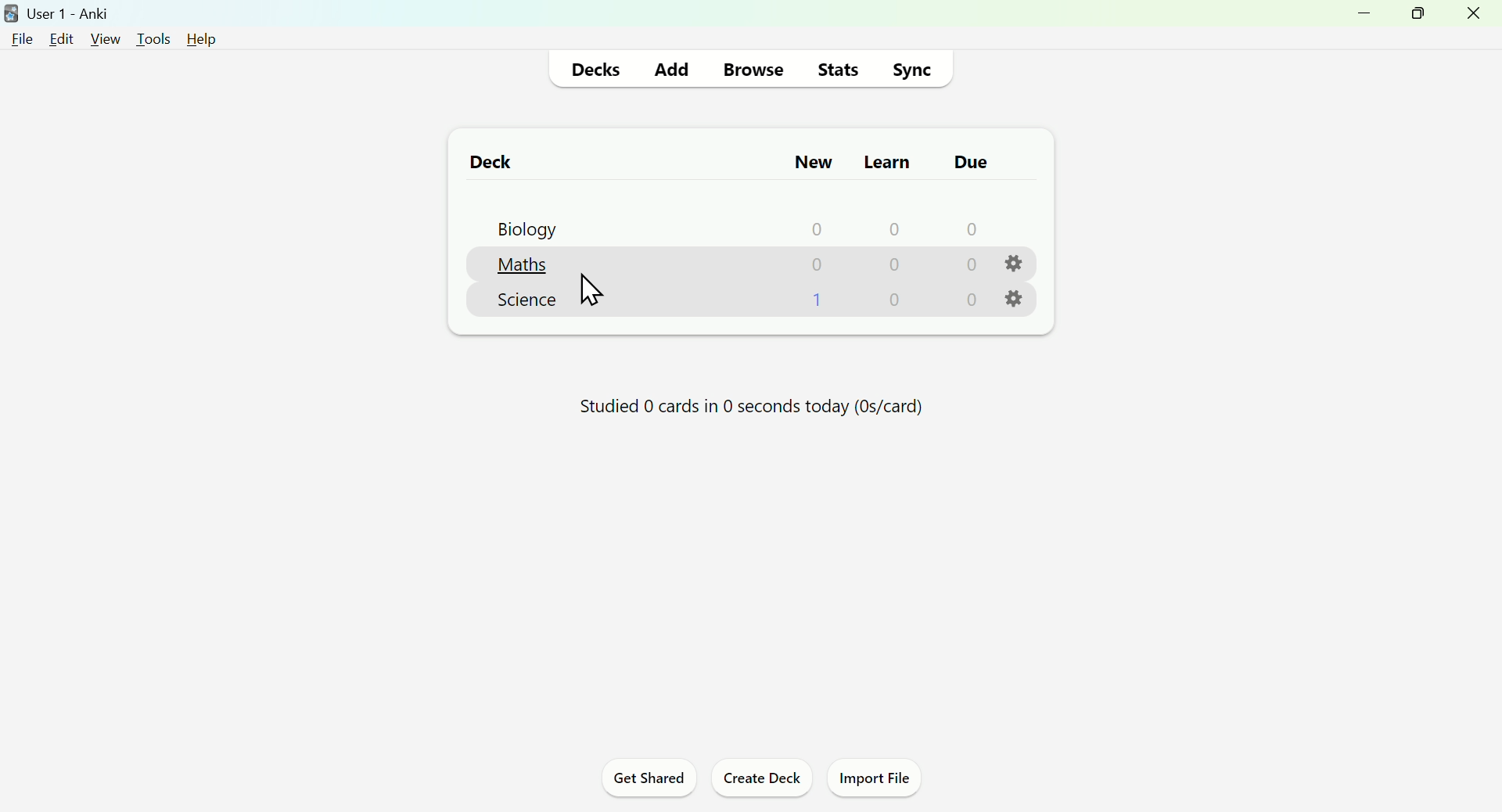 The image size is (1502, 812). I want to click on Sync, so click(916, 67).